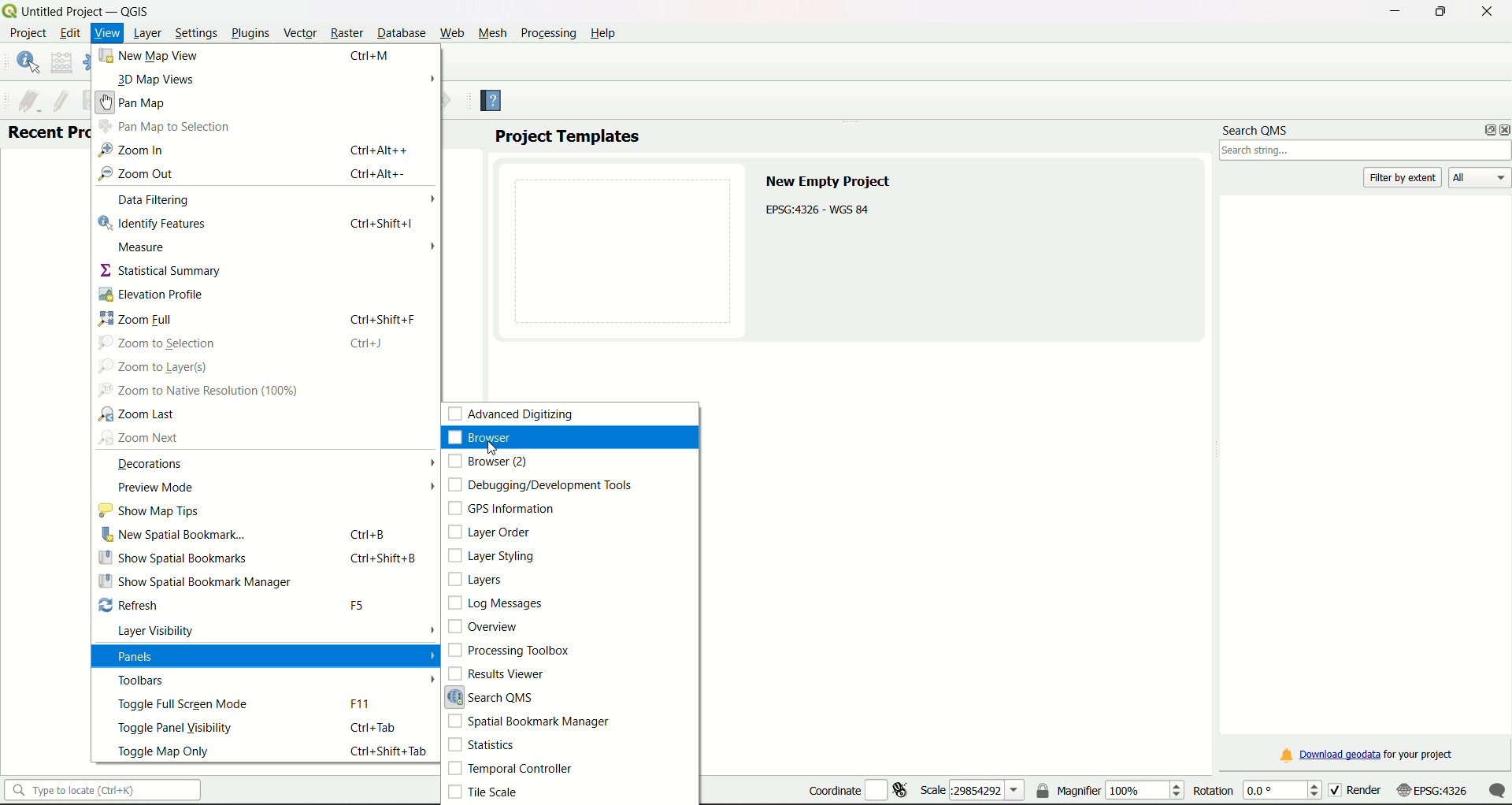 Image resolution: width=1512 pixels, height=805 pixels. What do you see at coordinates (857, 787) in the screenshot?
I see `coordinate` at bounding box center [857, 787].